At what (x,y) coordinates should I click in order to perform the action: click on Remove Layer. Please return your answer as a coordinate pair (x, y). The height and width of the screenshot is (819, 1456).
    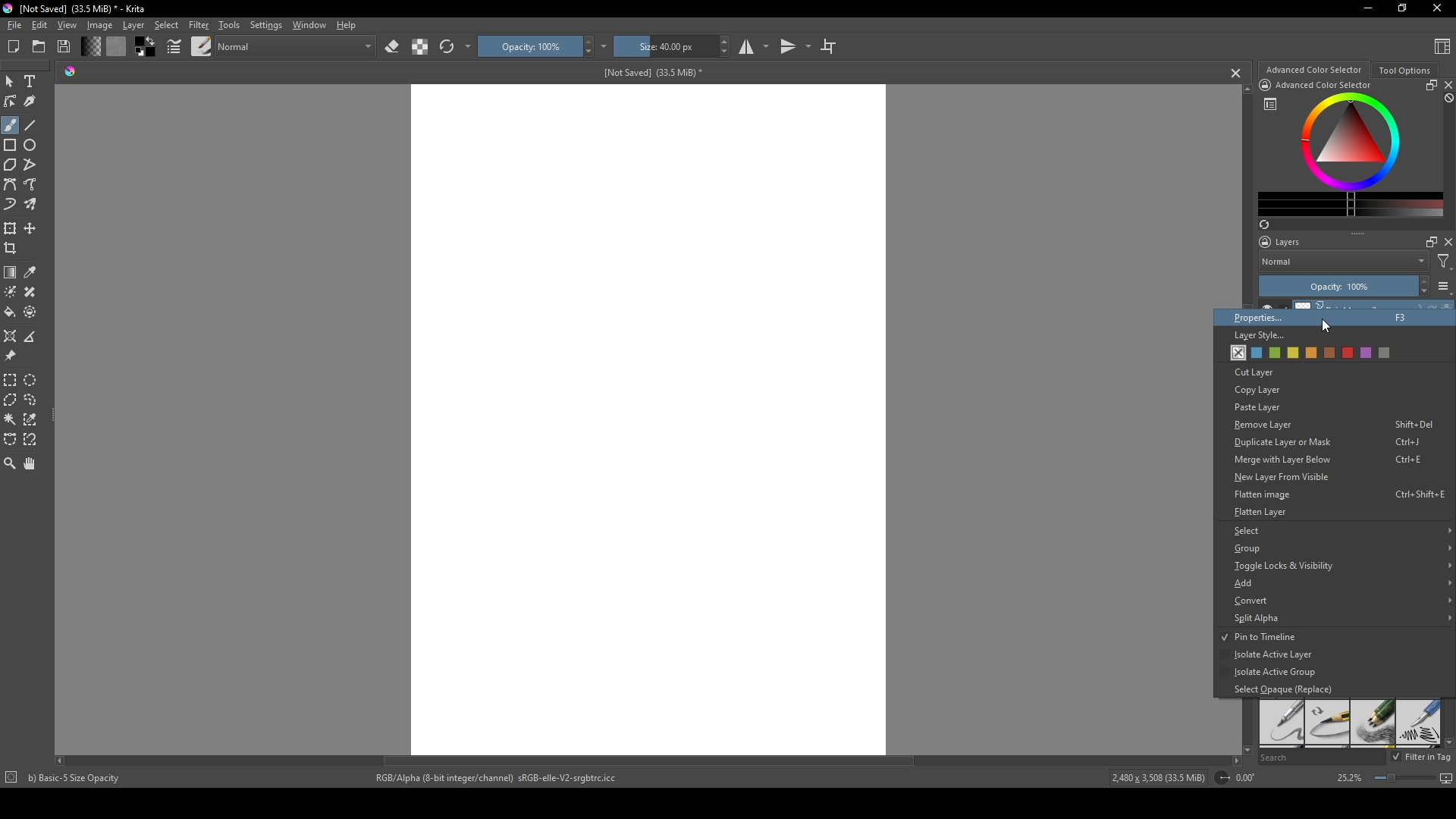
    Looking at the image, I should click on (1330, 426).